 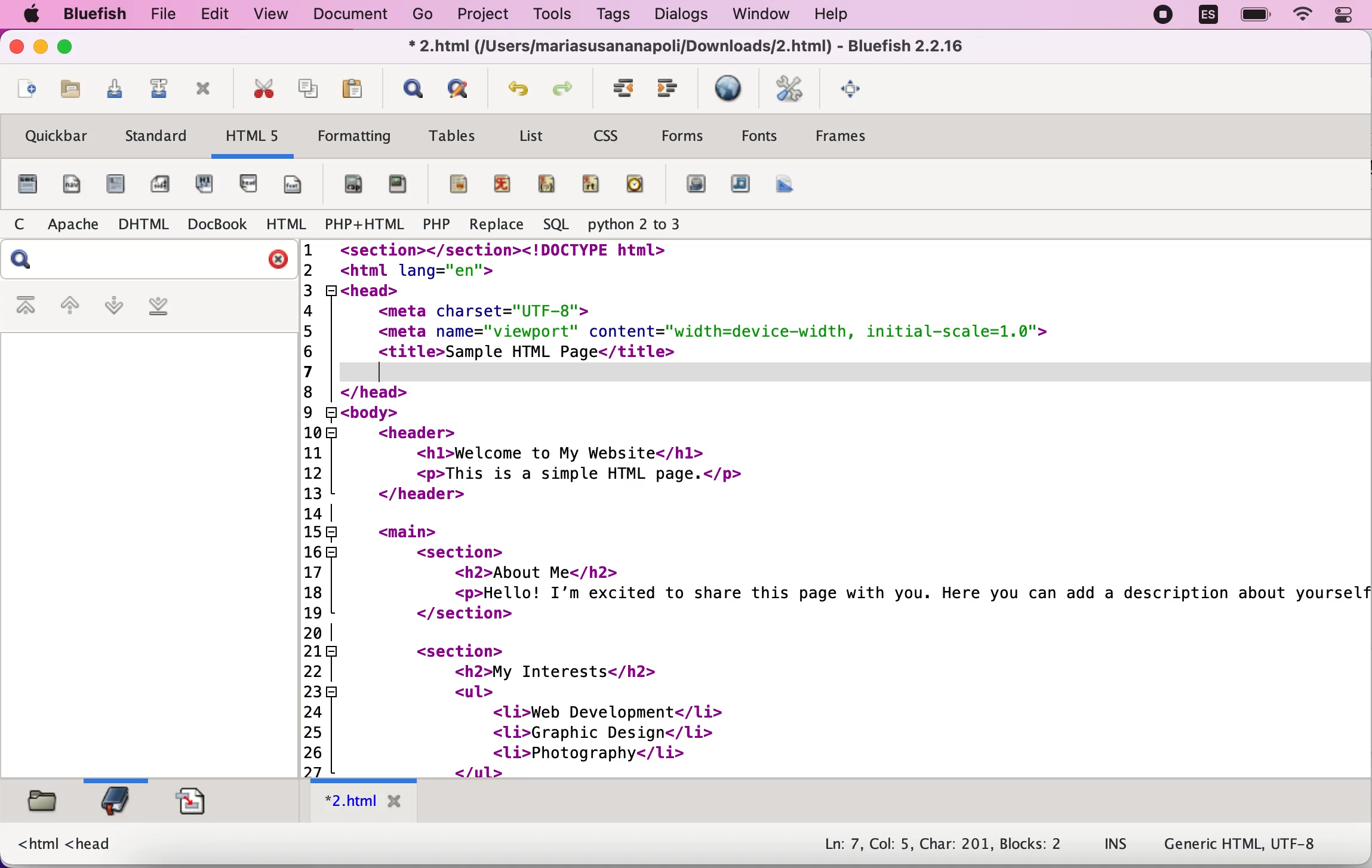 I want to click on python 2 to 3, so click(x=657, y=226).